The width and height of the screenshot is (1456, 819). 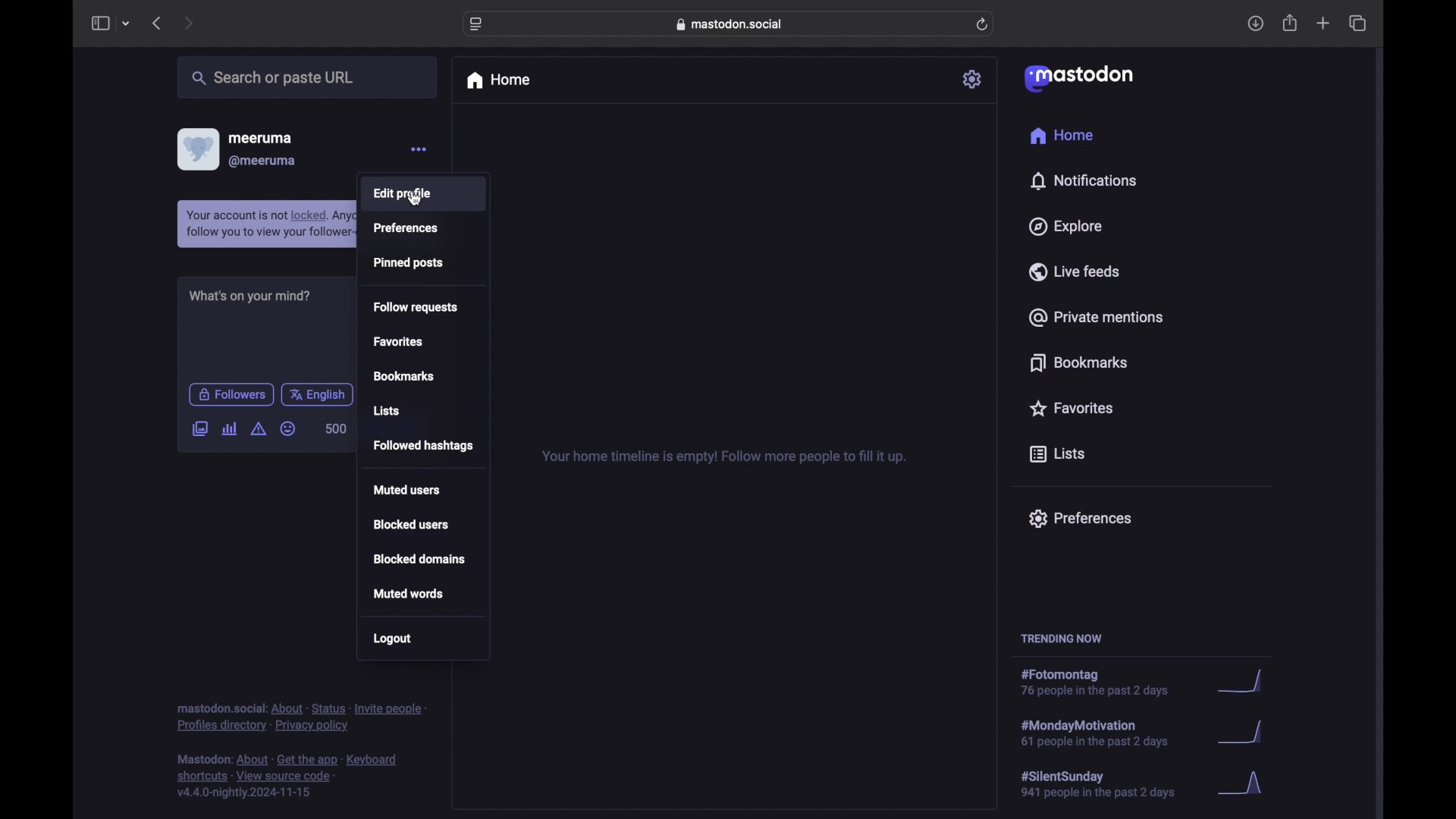 What do you see at coordinates (1086, 180) in the screenshot?
I see `notifications` at bounding box center [1086, 180].